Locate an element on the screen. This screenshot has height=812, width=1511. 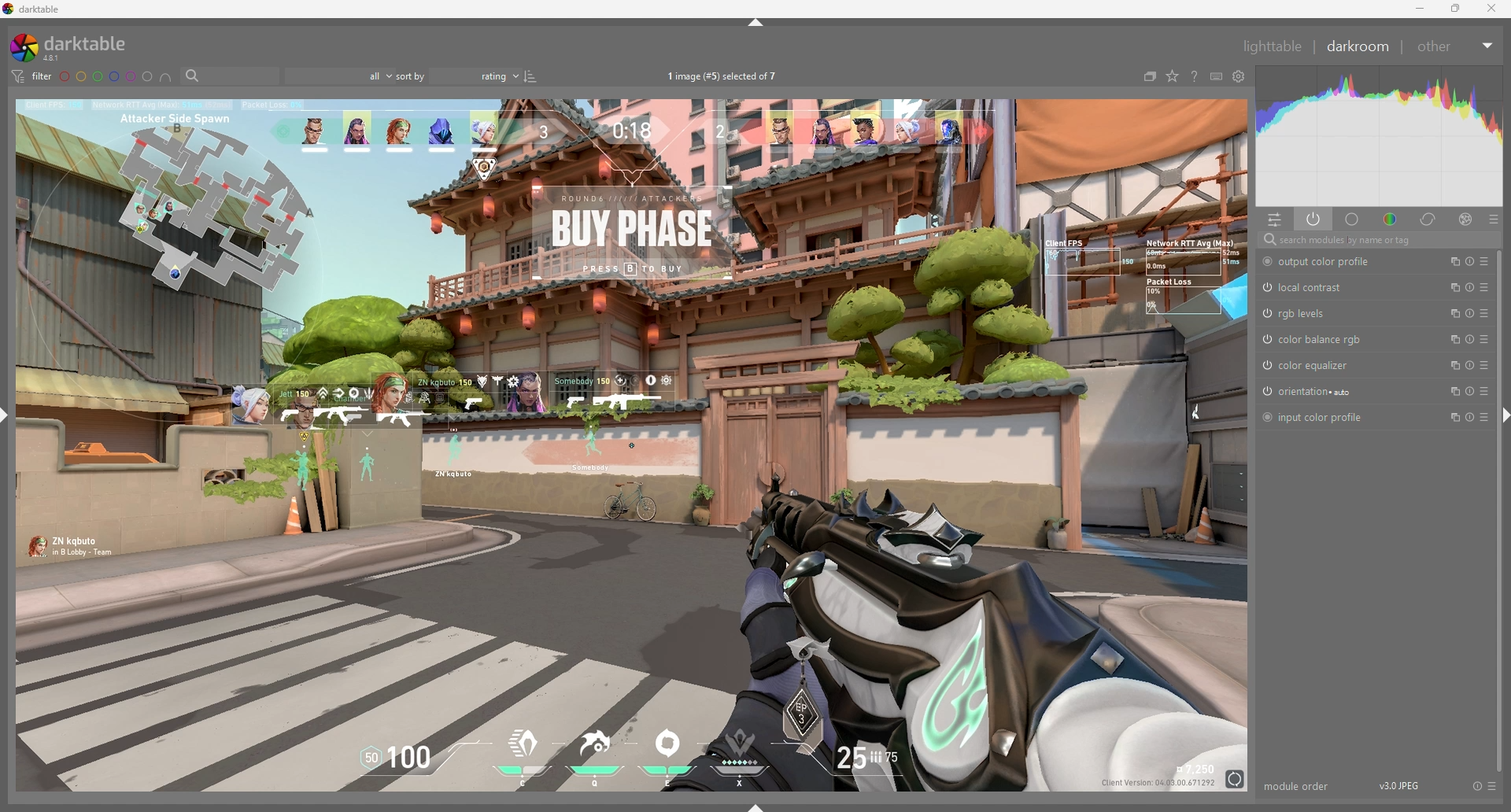
presets is located at coordinates (1485, 390).